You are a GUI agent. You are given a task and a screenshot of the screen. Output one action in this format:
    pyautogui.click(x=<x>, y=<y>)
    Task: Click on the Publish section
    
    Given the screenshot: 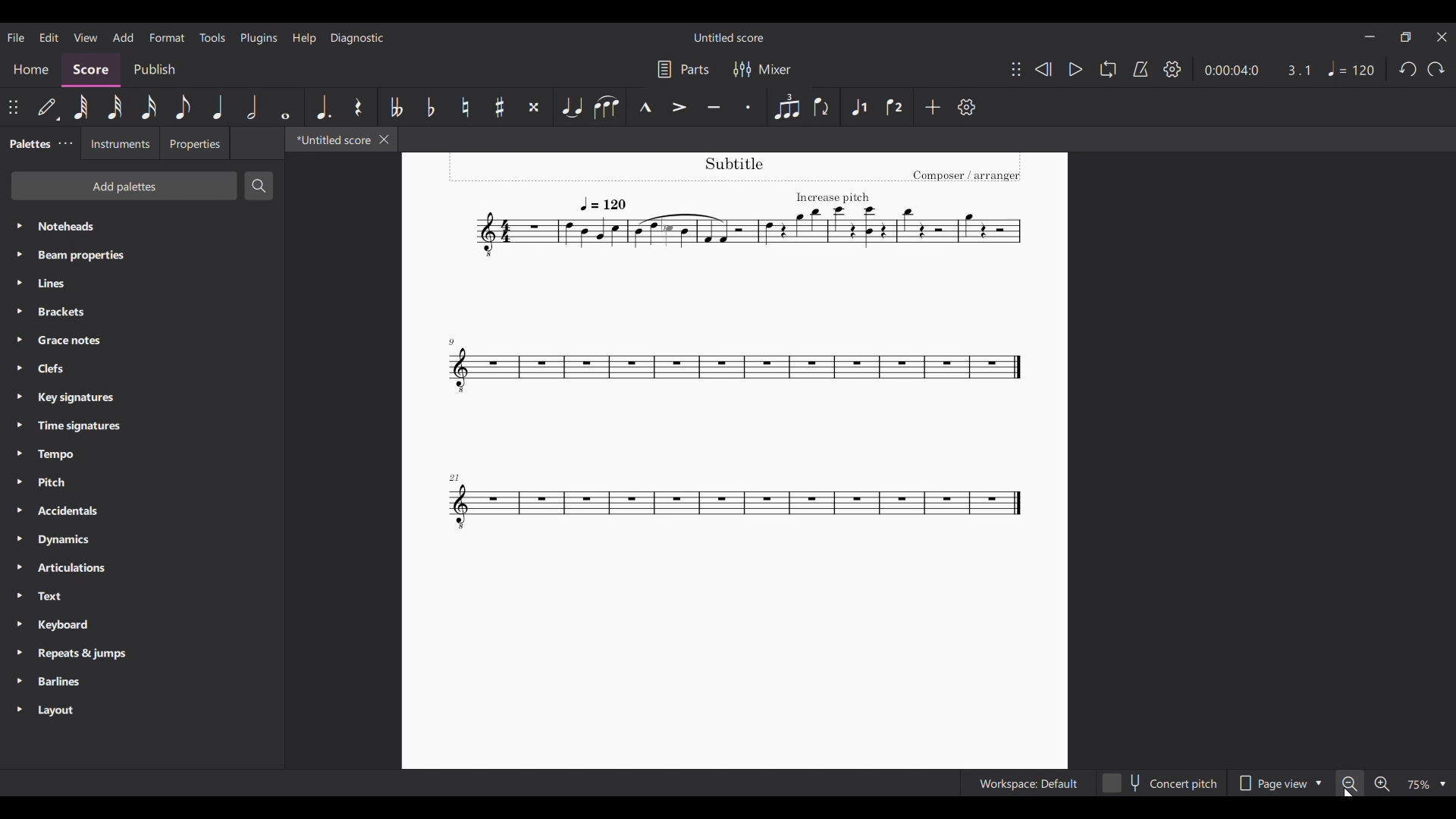 What is the action you would take?
    pyautogui.click(x=155, y=70)
    